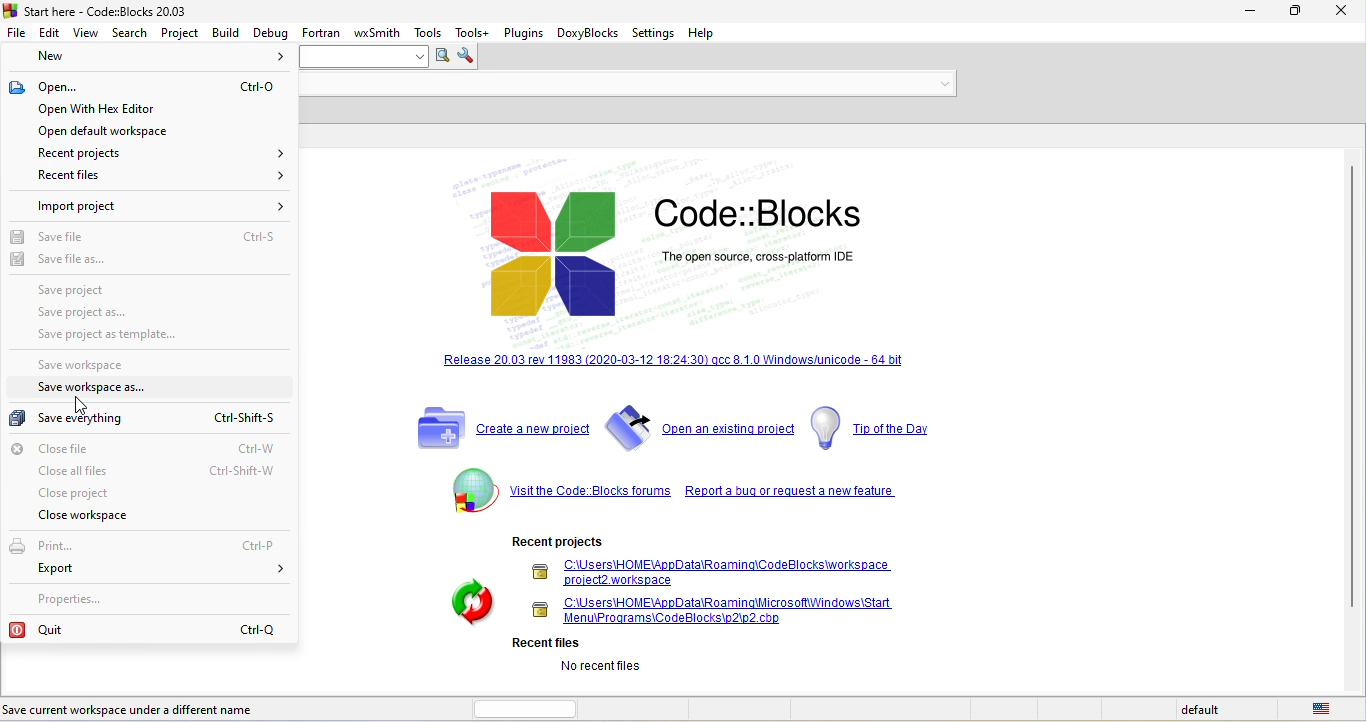  Describe the element at coordinates (1250, 12) in the screenshot. I see `minimize` at that location.